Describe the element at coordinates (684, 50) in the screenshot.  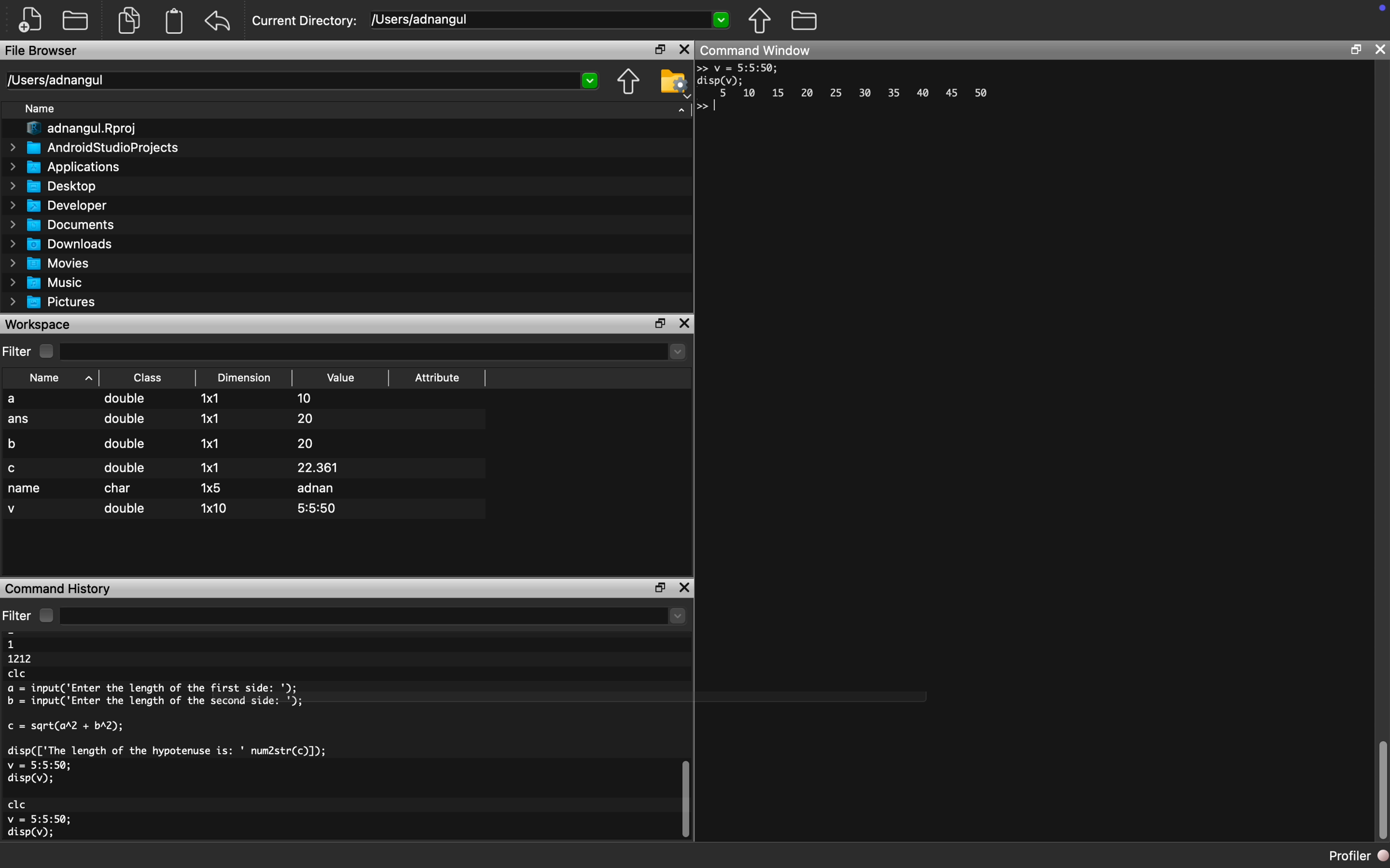
I see `Close` at that location.